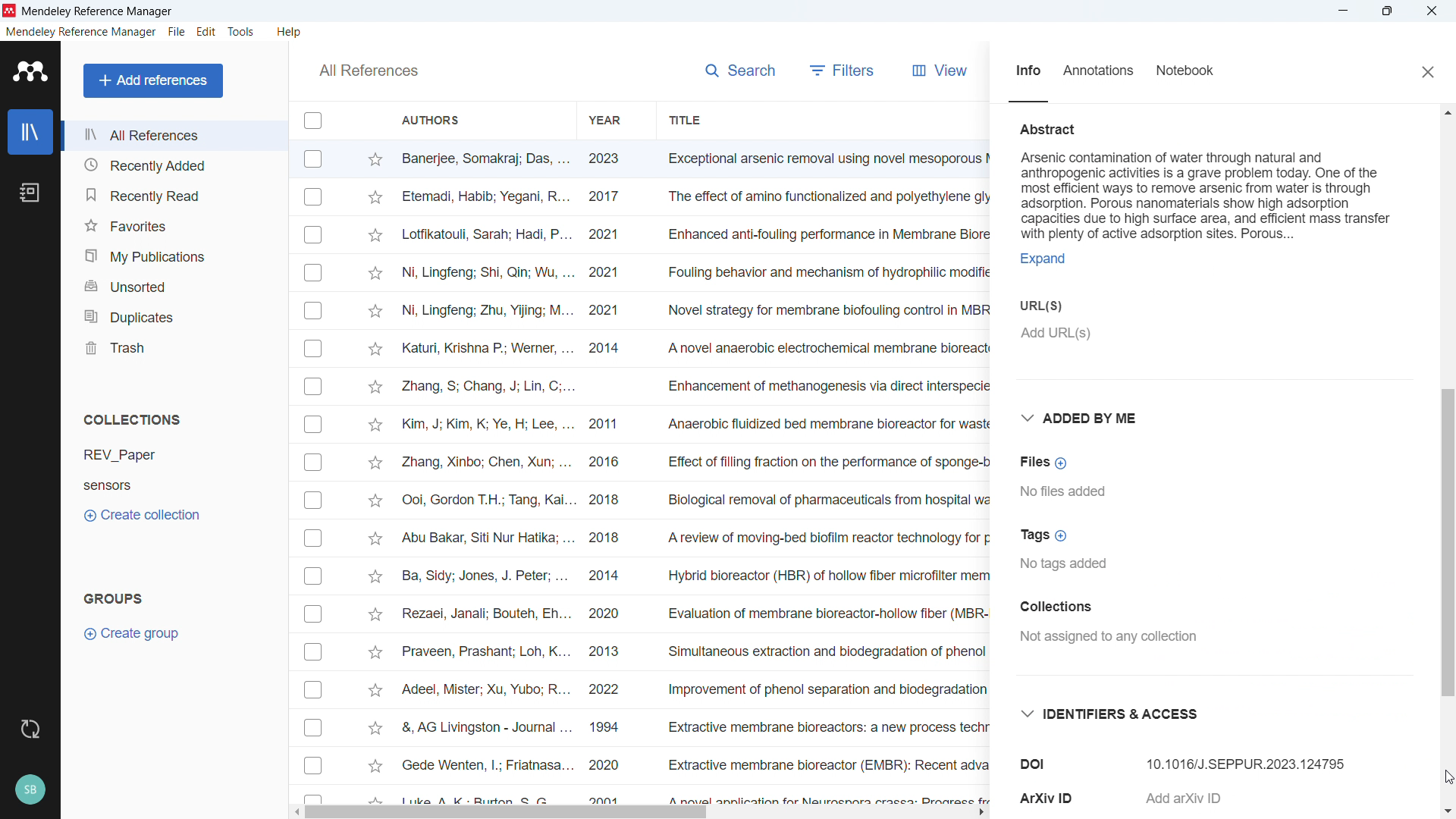  I want to click on ooi,gordon t.h,tang,kai, so click(485, 501).